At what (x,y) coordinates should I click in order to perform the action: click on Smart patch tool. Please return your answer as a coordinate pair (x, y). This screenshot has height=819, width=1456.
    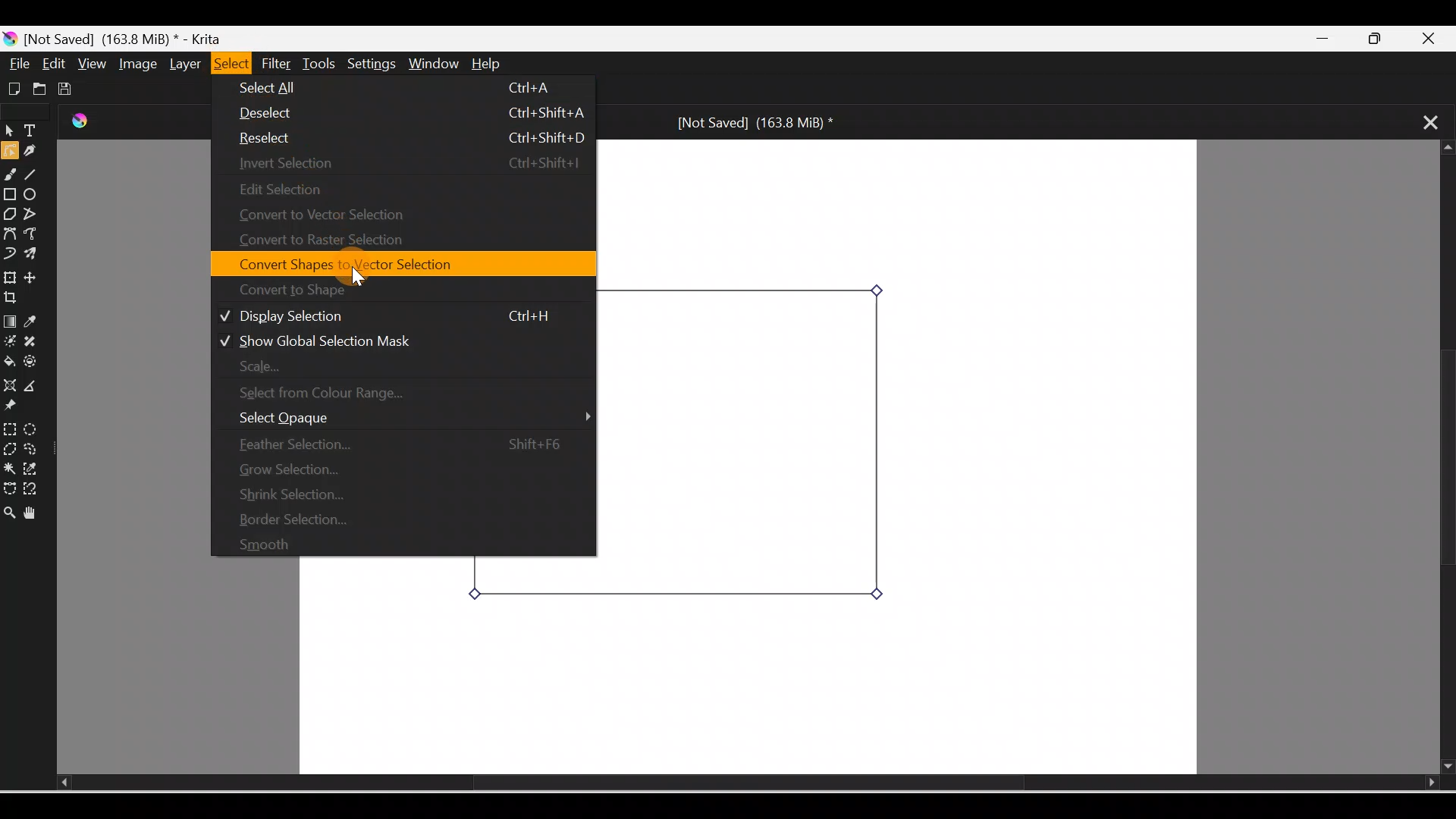
    Looking at the image, I should click on (37, 342).